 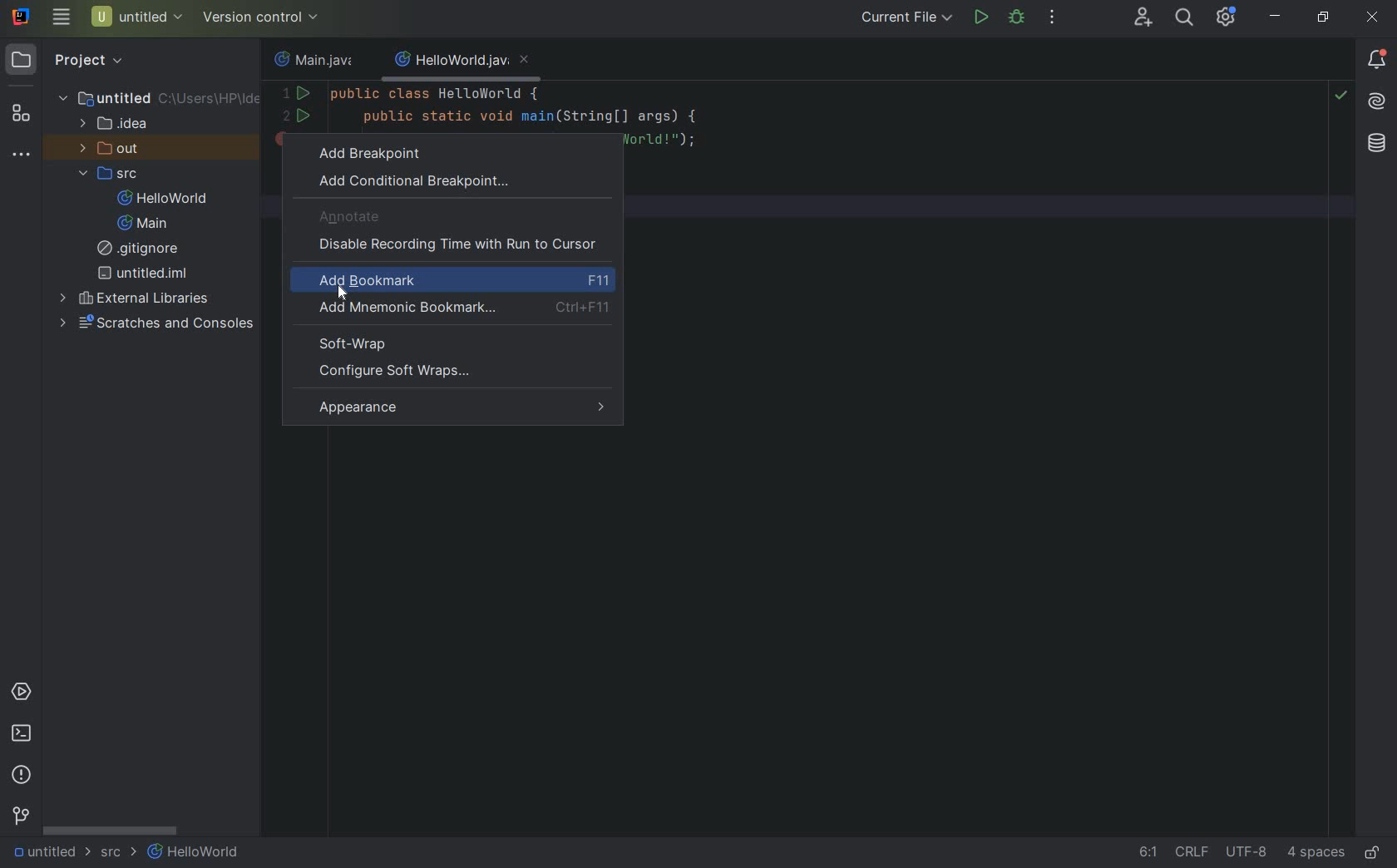 I want to click on untitled, so click(x=160, y=97).